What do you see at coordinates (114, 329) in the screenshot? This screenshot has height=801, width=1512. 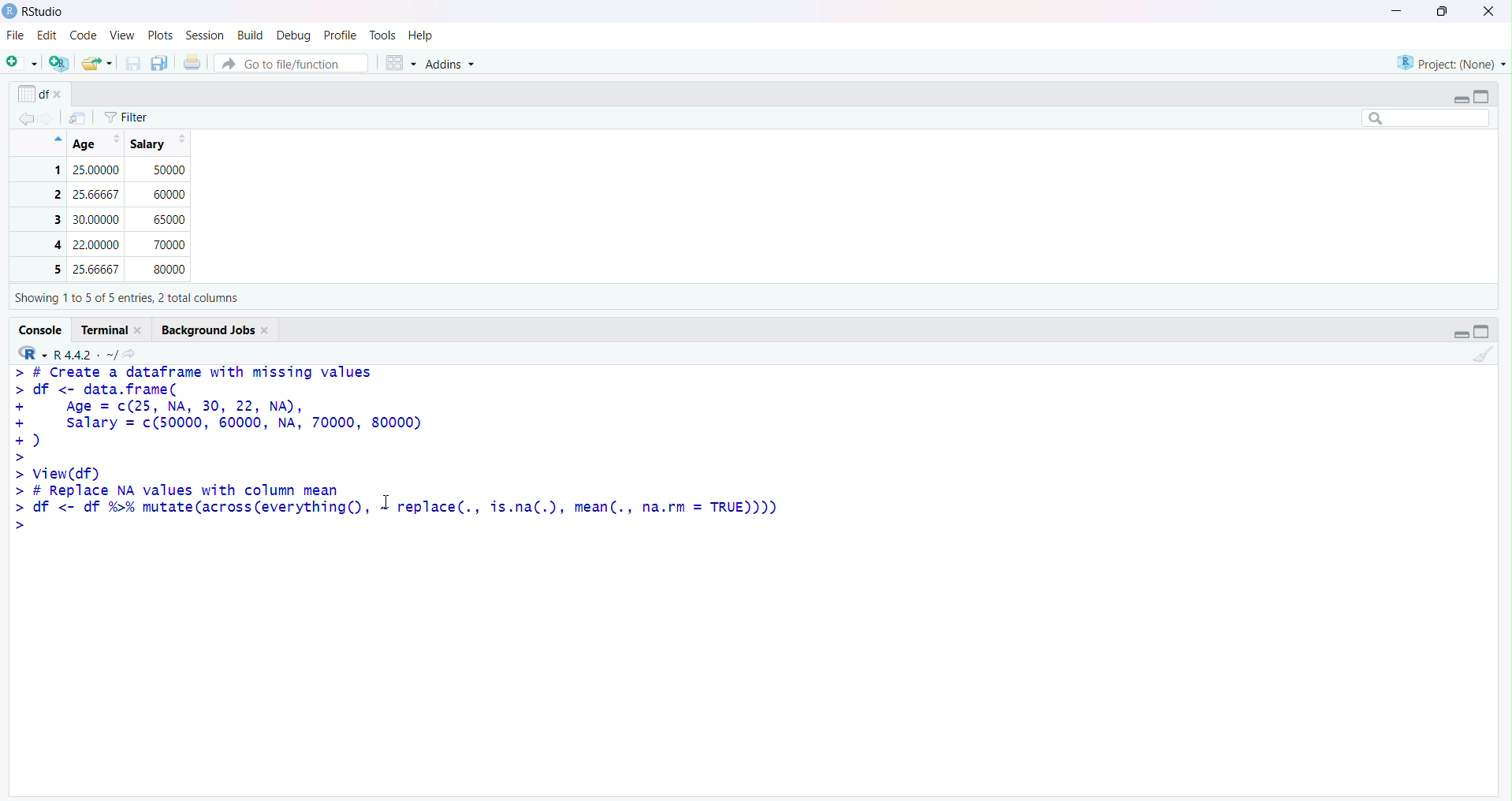 I see `Terminal` at bounding box center [114, 329].